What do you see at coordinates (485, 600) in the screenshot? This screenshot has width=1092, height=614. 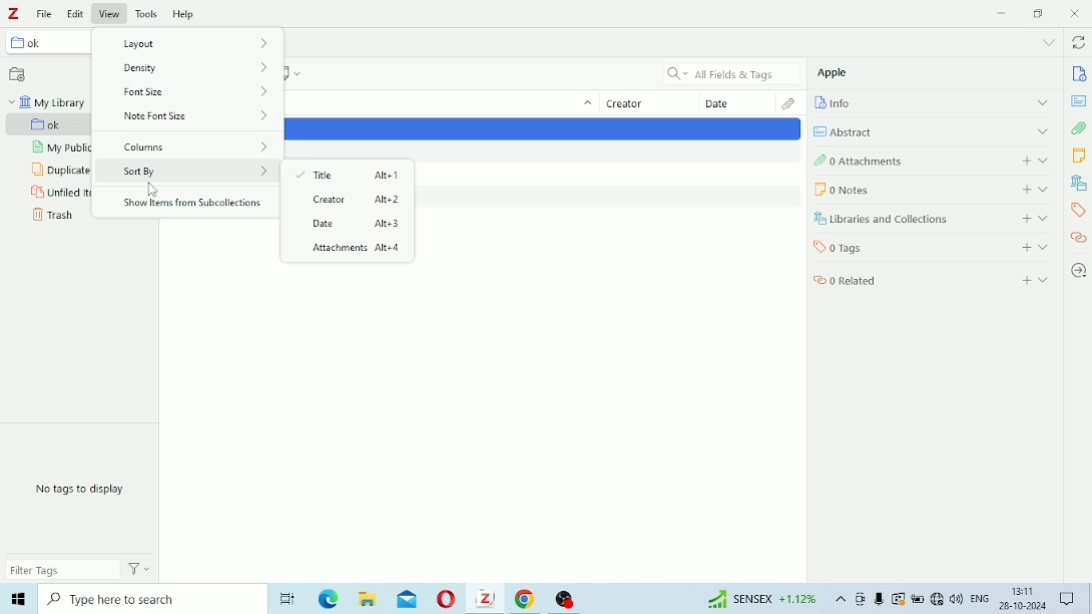 I see `Zotero` at bounding box center [485, 600].